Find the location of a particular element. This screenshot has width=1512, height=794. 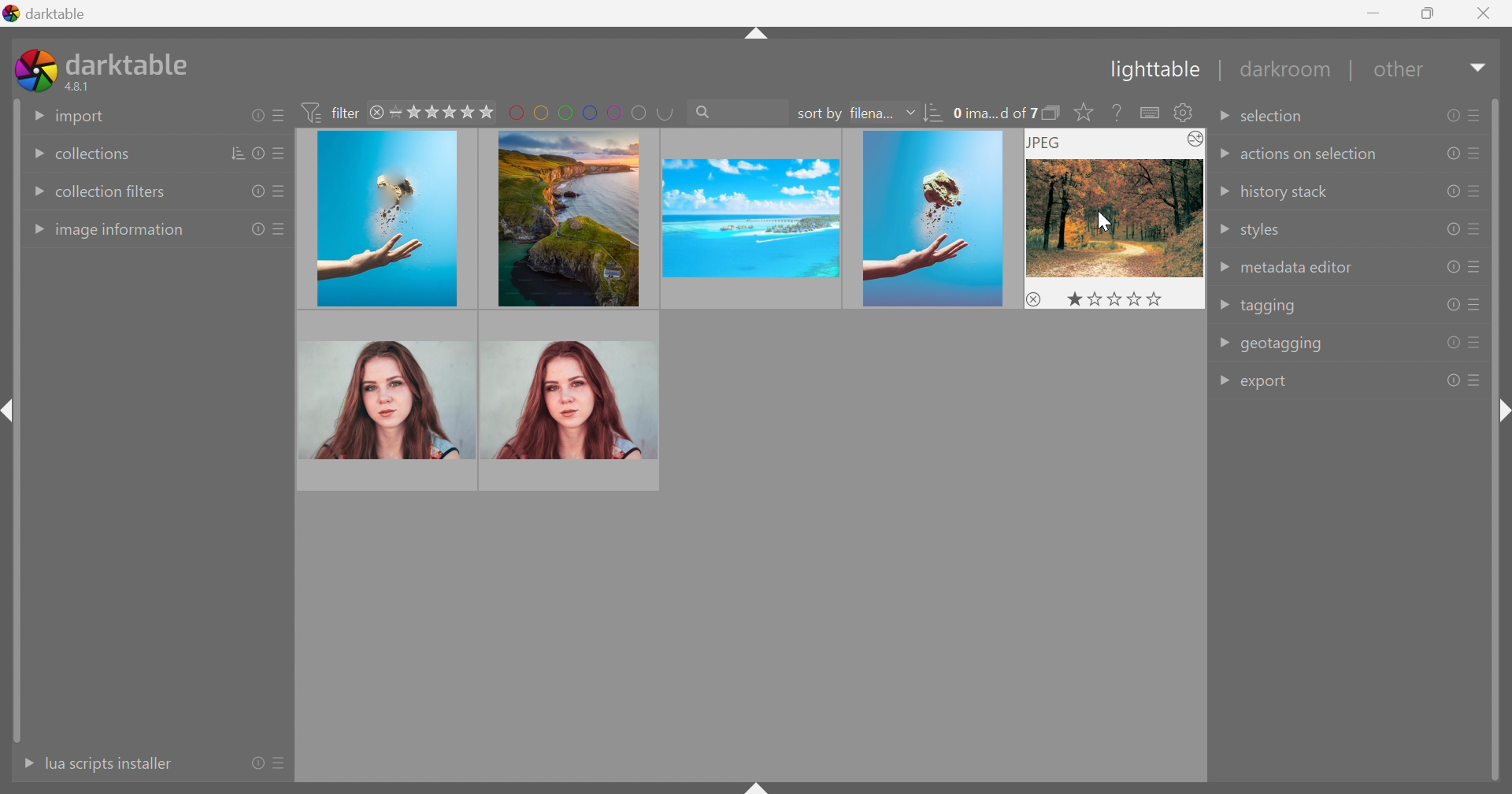

reset is located at coordinates (1453, 343).